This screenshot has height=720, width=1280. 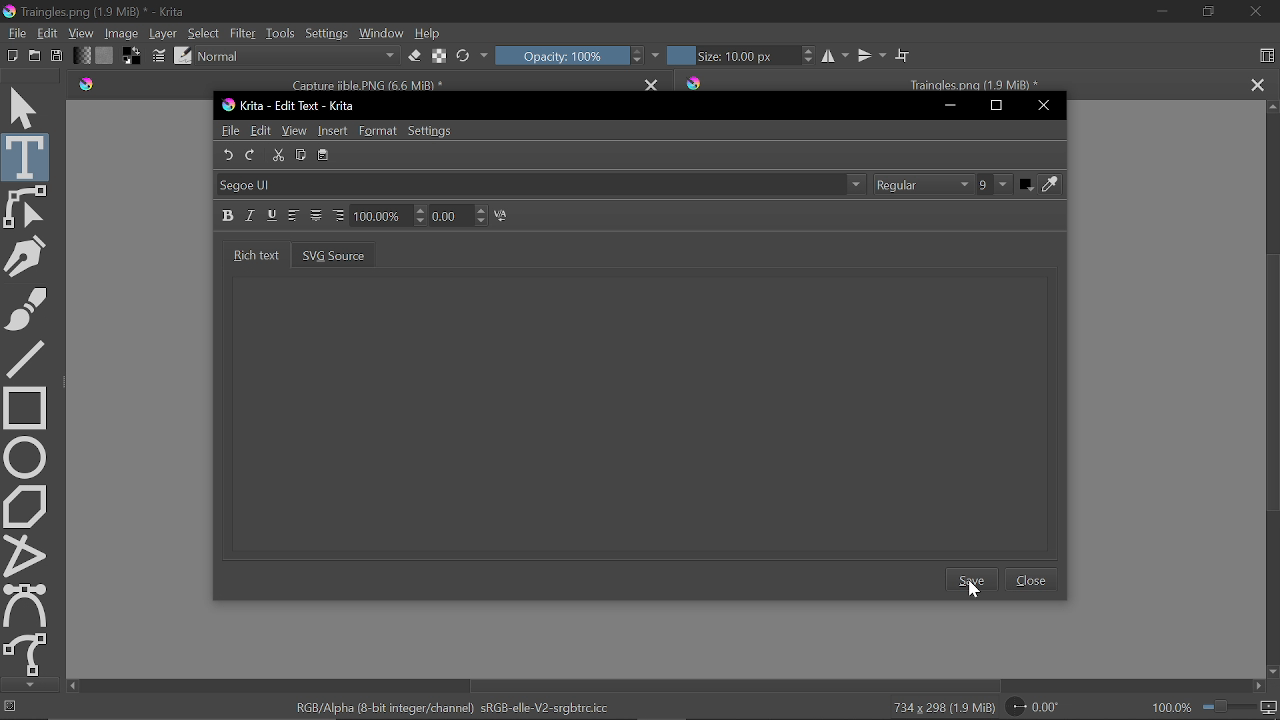 What do you see at coordinates (81, 56) in the screenshot?
I see `Fill gradient` at bounding box center [81, 56].